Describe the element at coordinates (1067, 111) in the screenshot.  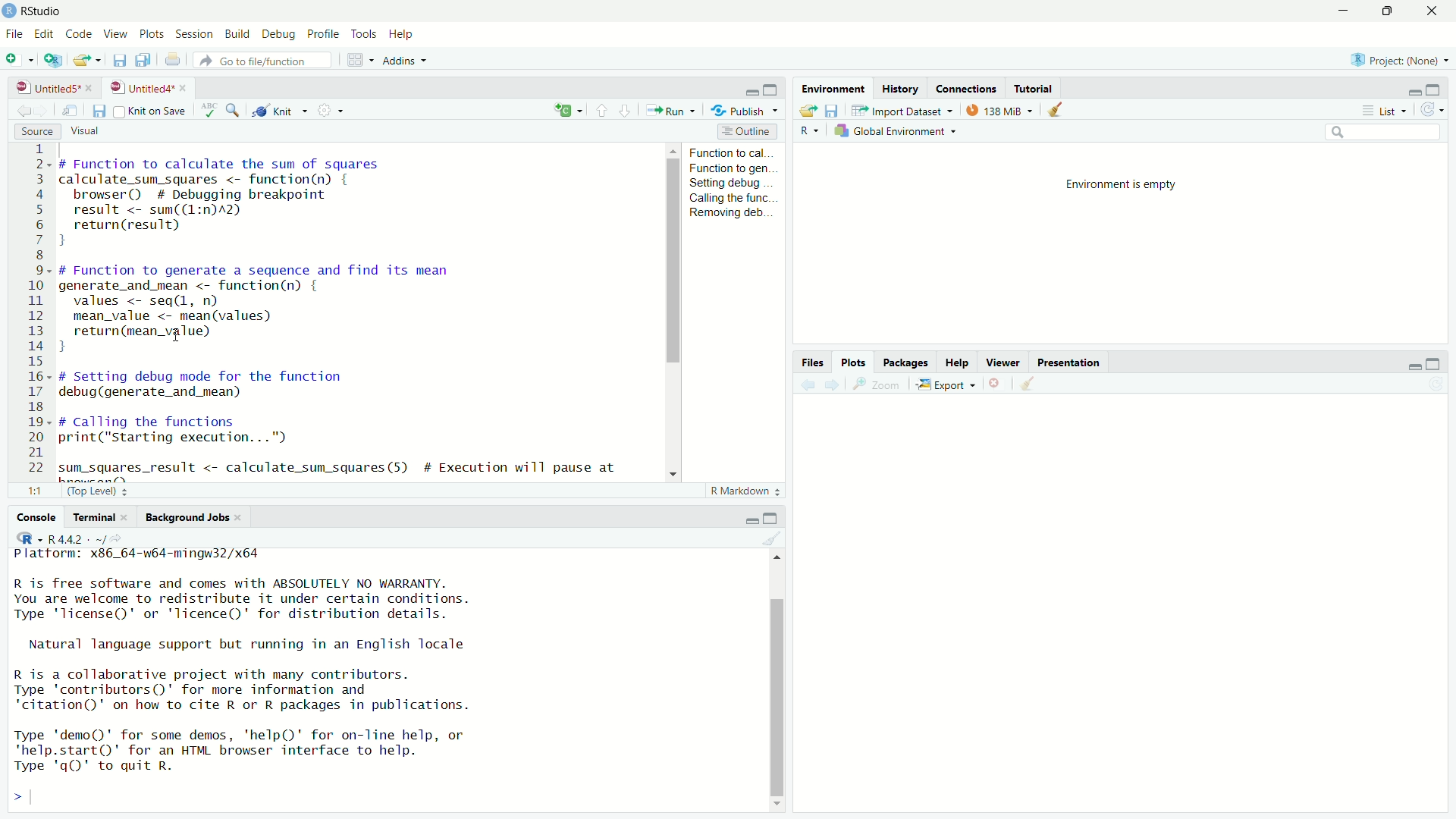
I see `clear objects from the workspace` at that location.